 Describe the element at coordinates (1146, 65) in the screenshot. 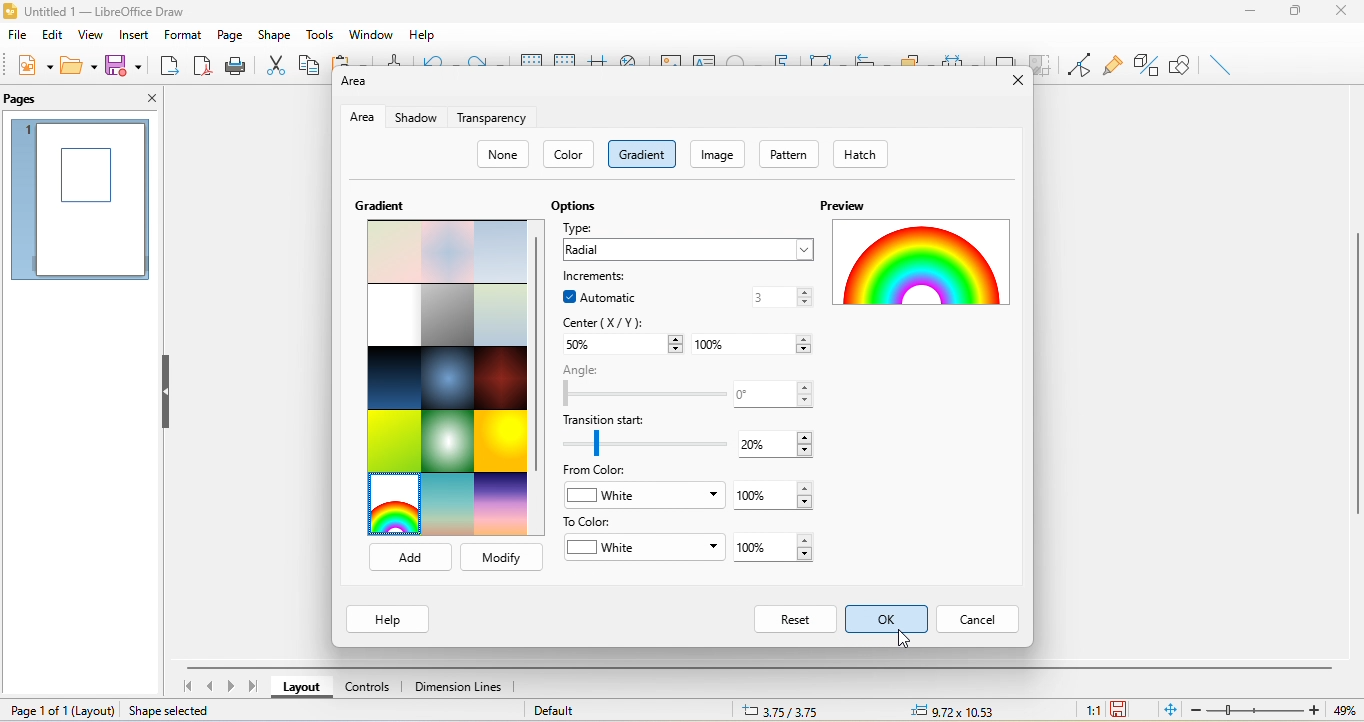

I see `toggle extrusion` at that location.